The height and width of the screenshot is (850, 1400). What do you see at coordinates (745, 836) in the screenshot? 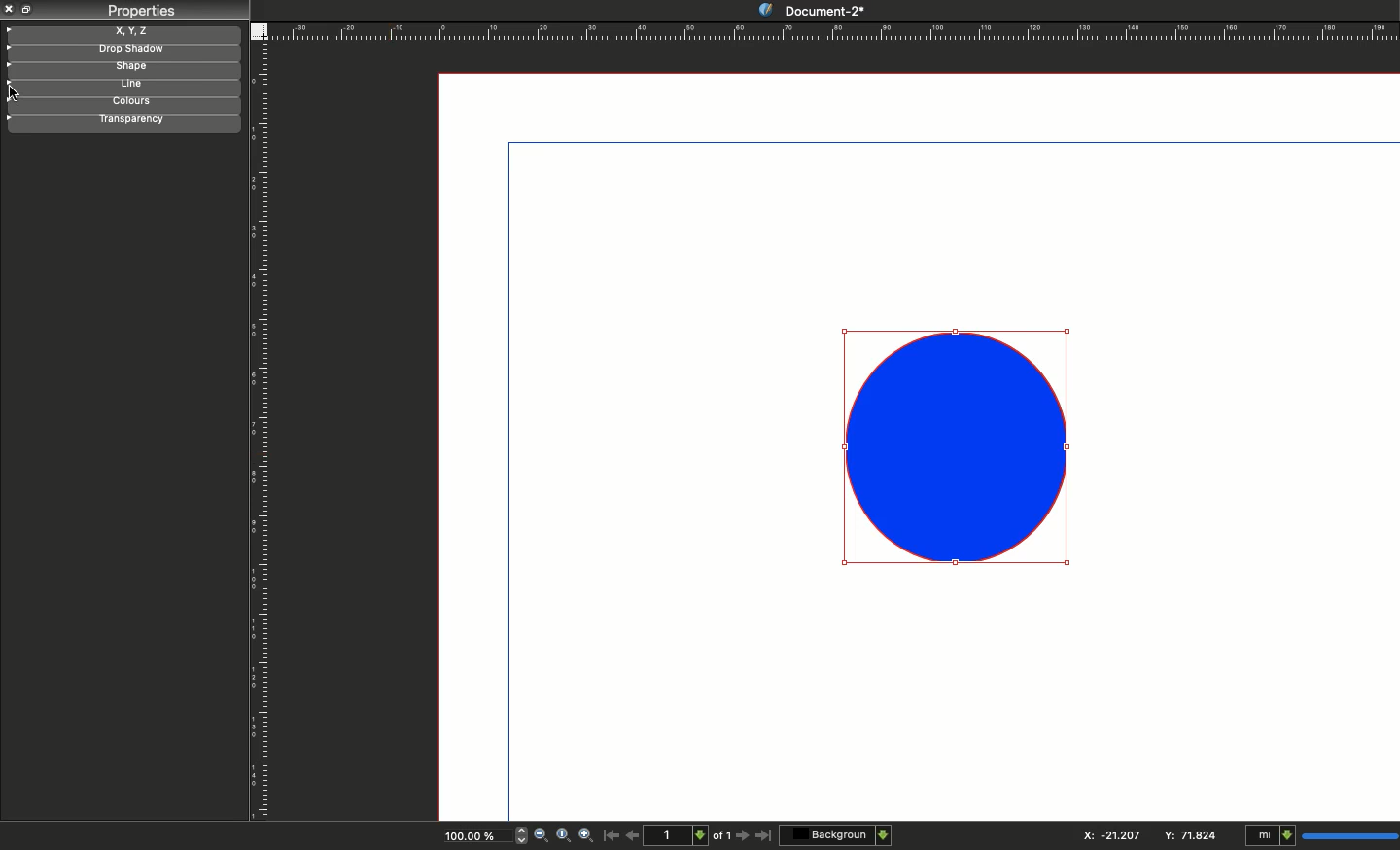
I see `Next page` at bounding box center [745, 836].